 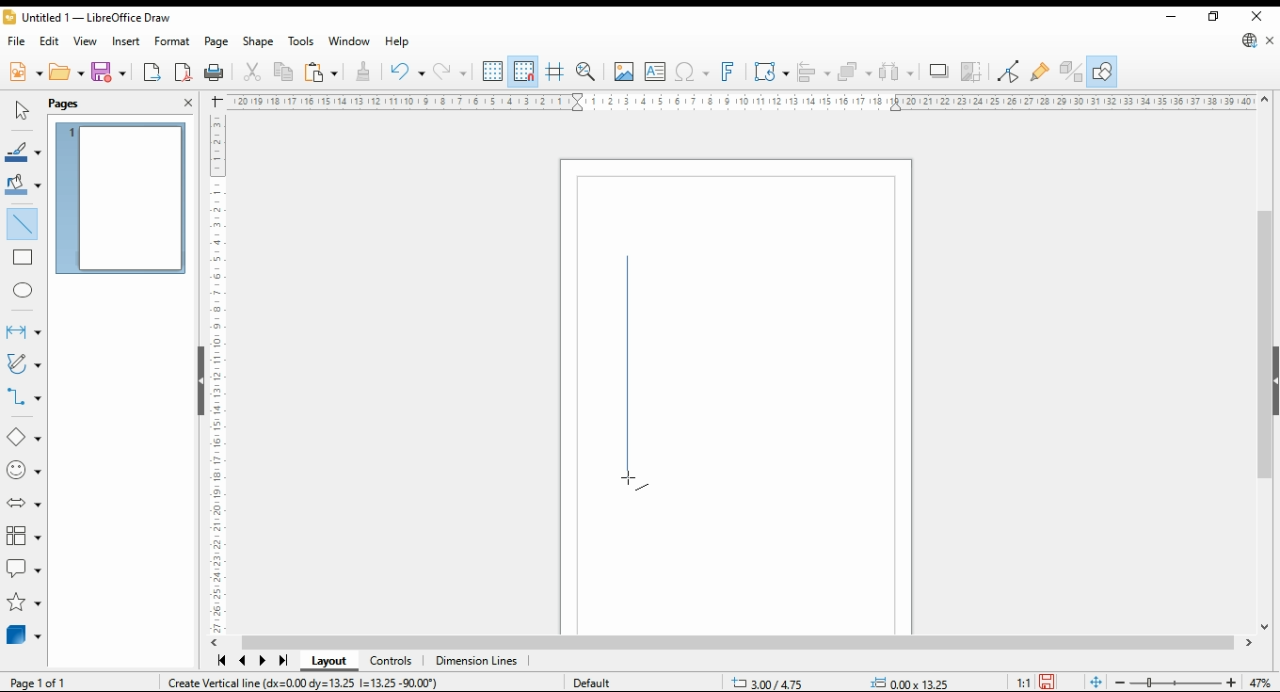 What do you see at coordinates (1254, 17) in the screenshot?
I see `close window` at bounding box center [1254, 17].